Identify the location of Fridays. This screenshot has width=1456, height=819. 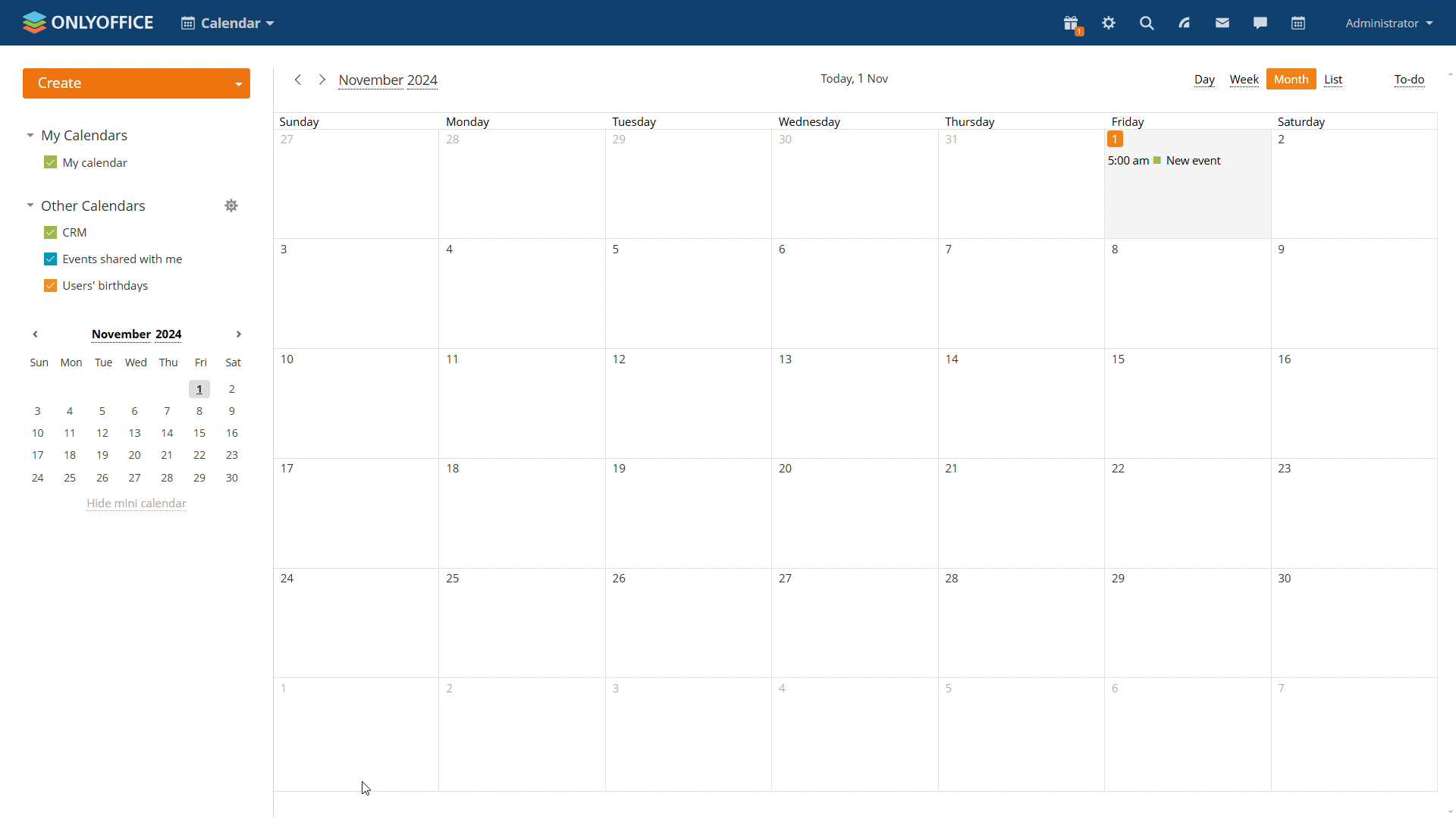
(1187, 509).